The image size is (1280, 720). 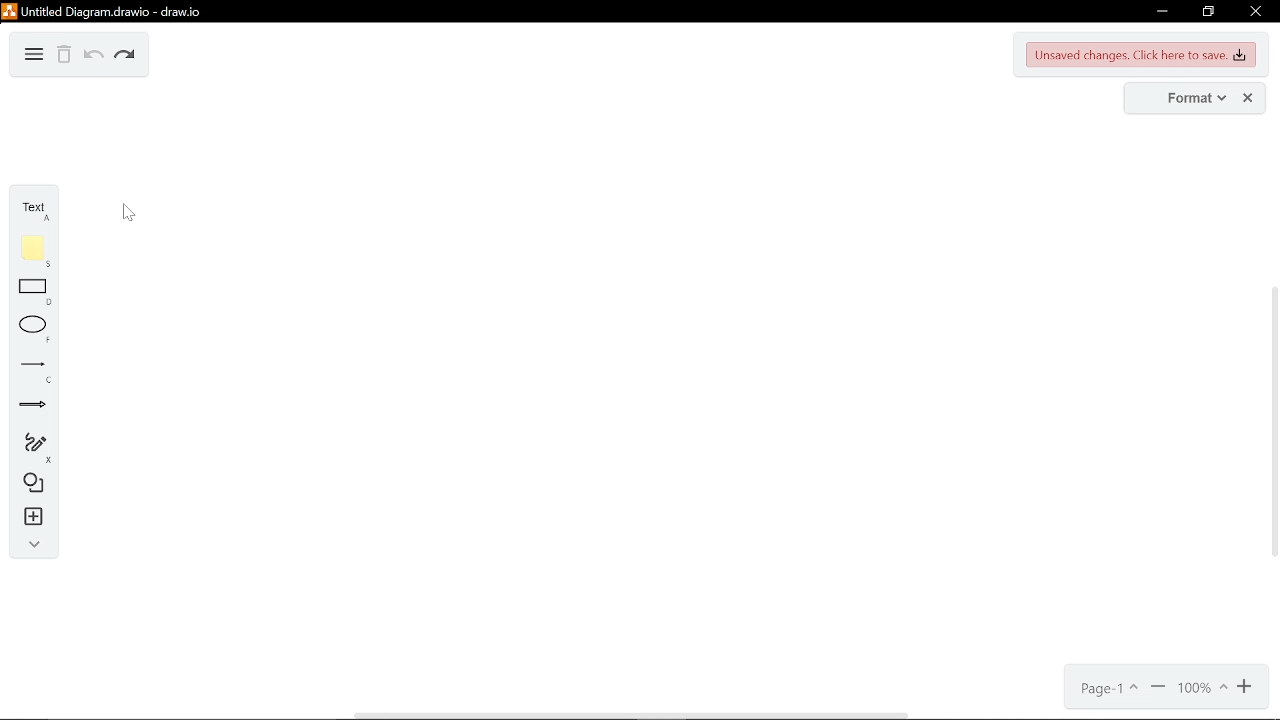 I want to click on freehand, so click(x=38, y=447).